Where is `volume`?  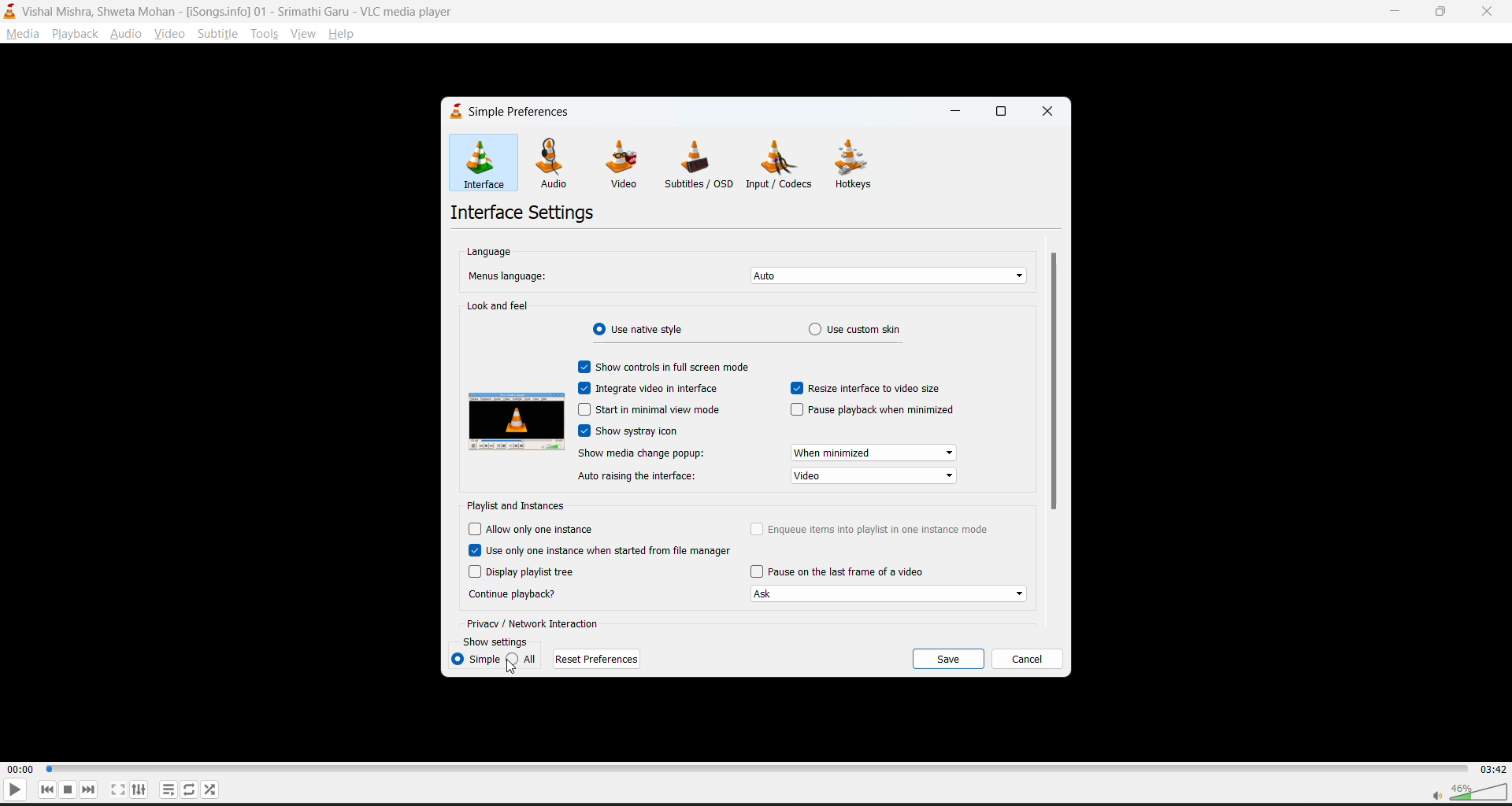
volume is located at coordinates (1462, 790).